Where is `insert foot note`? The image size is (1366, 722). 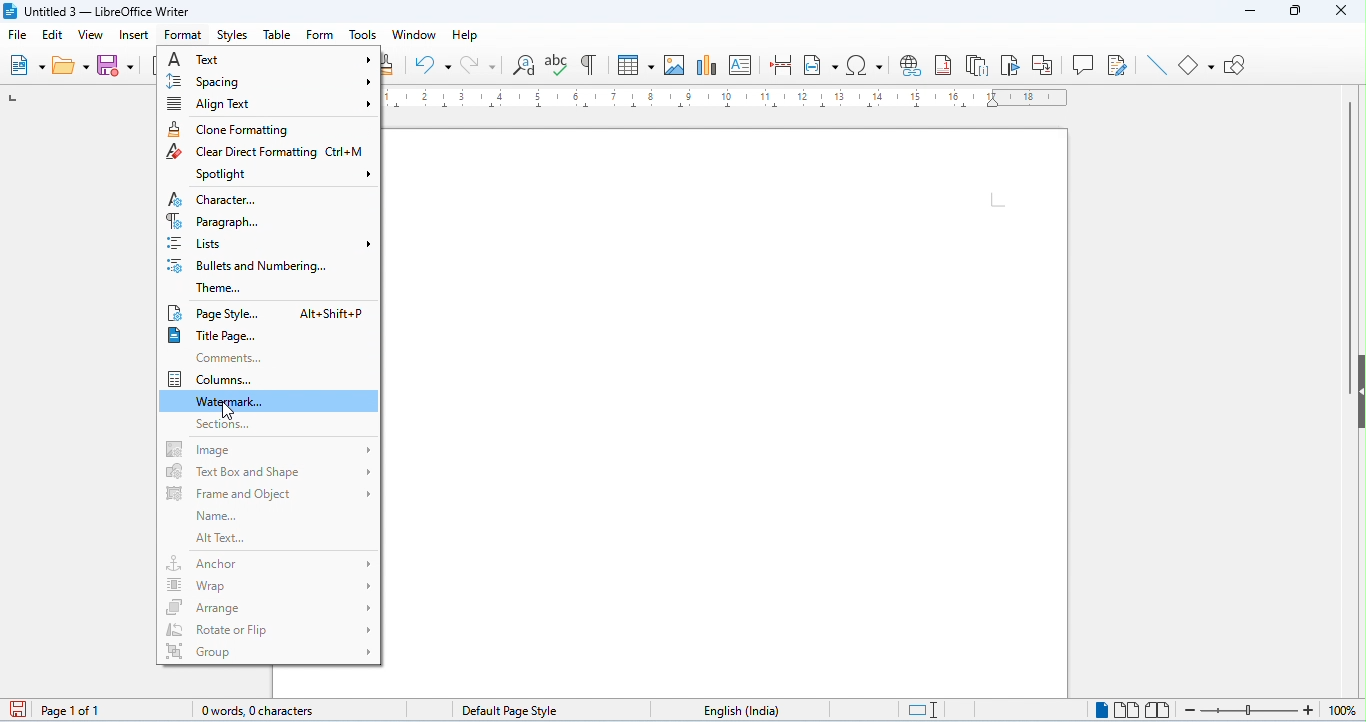 insert foot note is located at coordinates (944, 65).